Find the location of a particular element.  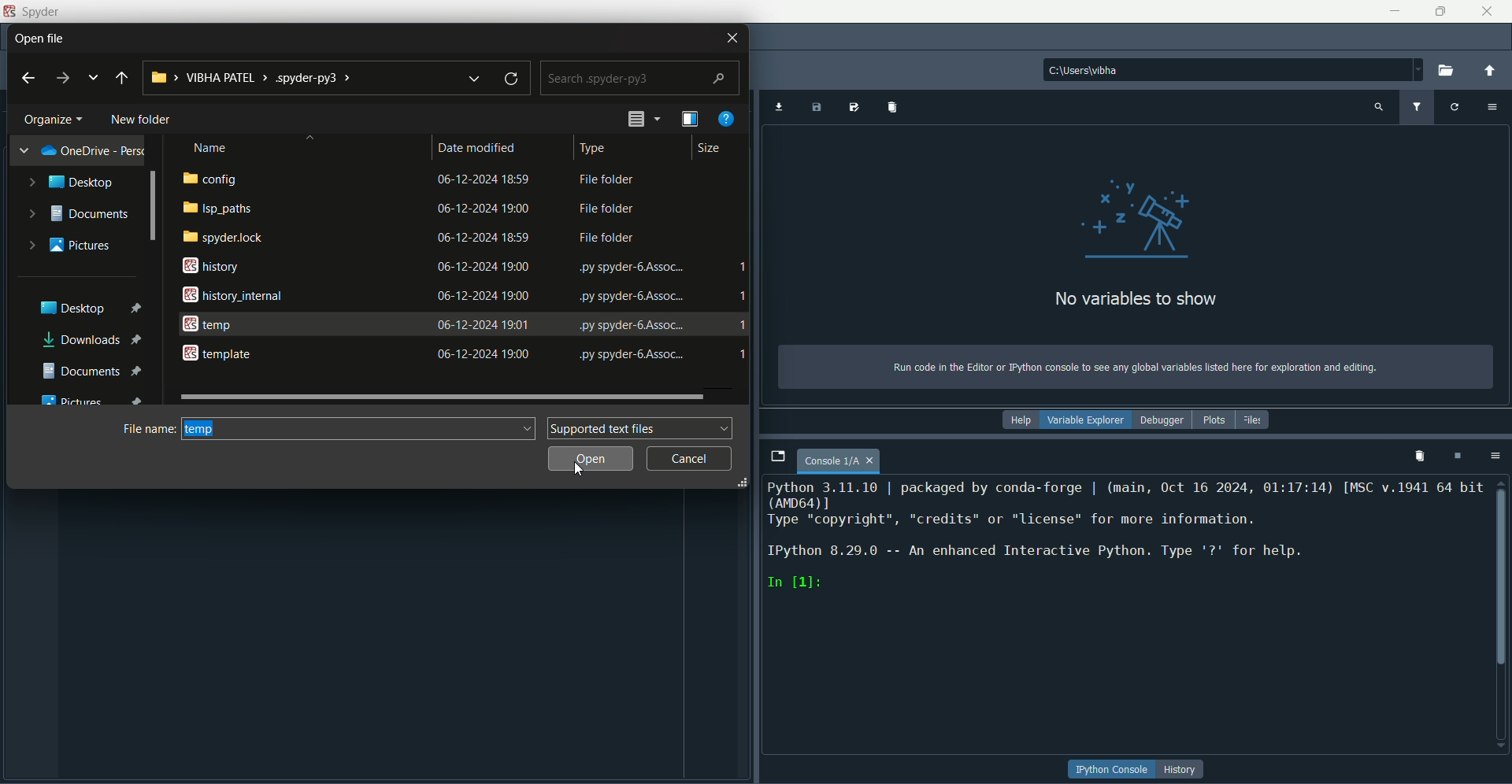

horizontal scroll is located at coordinates (442, 395).